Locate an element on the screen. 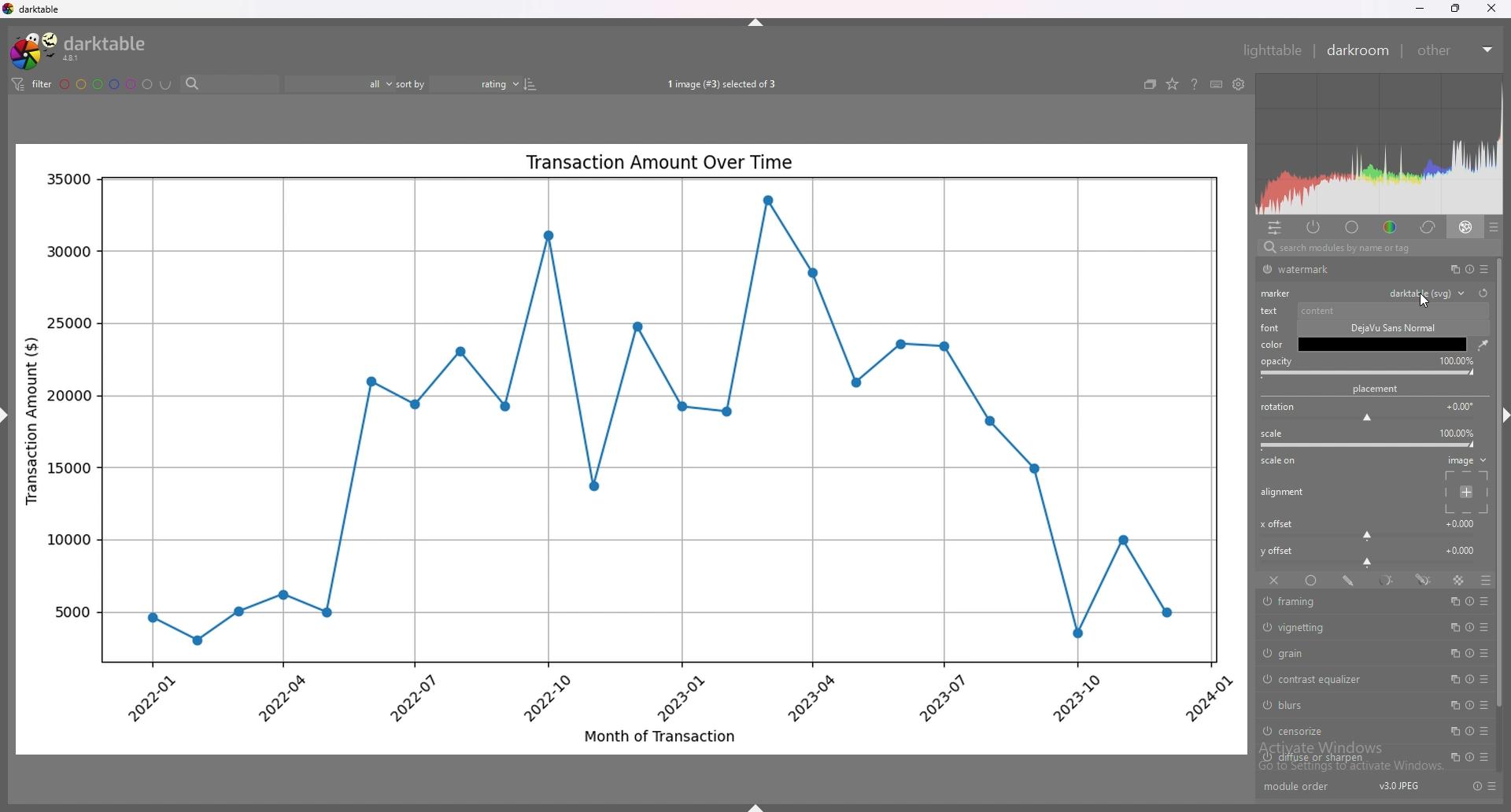  scroll bar is located at coordinates (1501, 483).